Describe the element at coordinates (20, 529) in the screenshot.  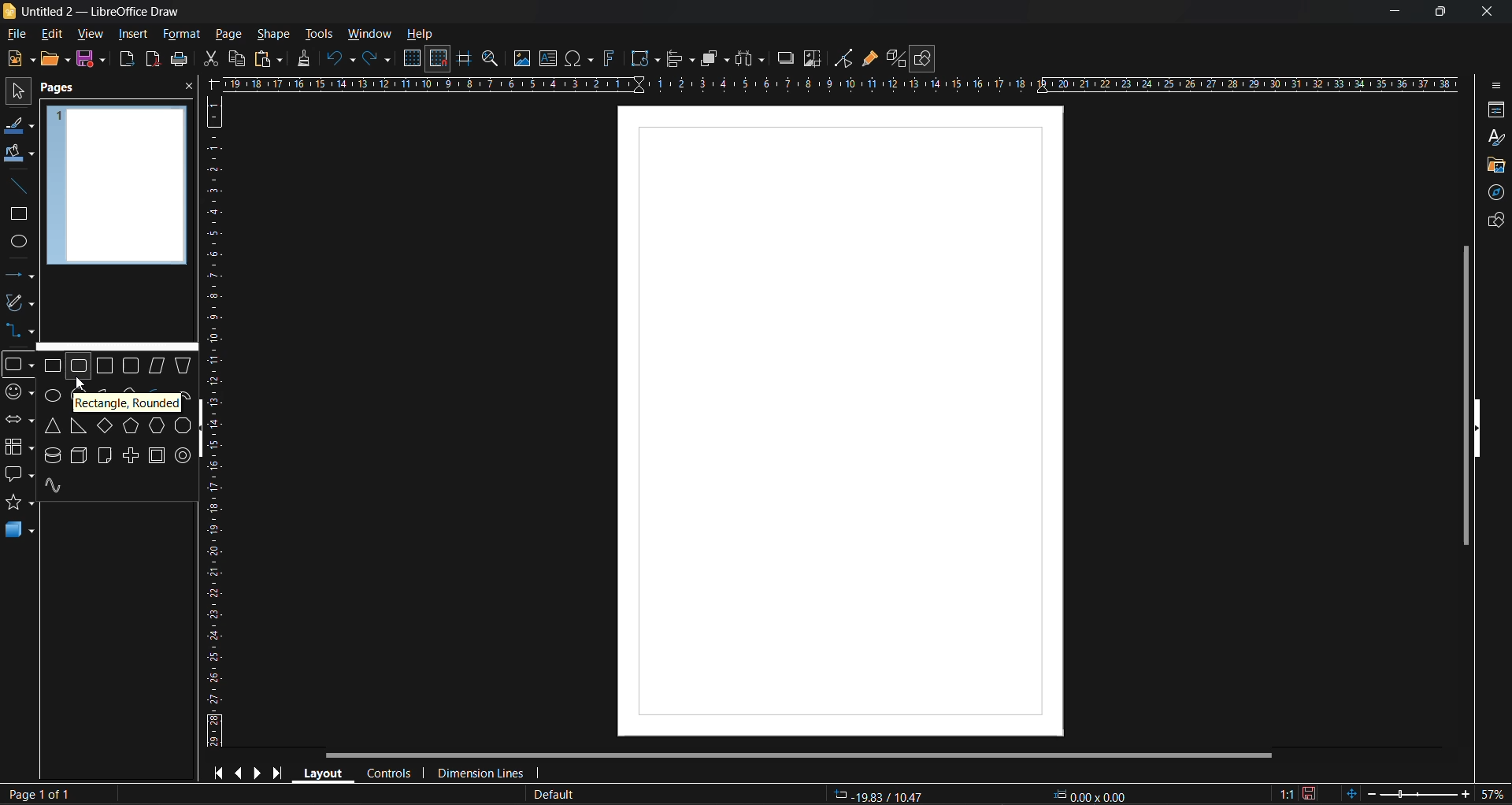
I see `3d shapes` at that location.